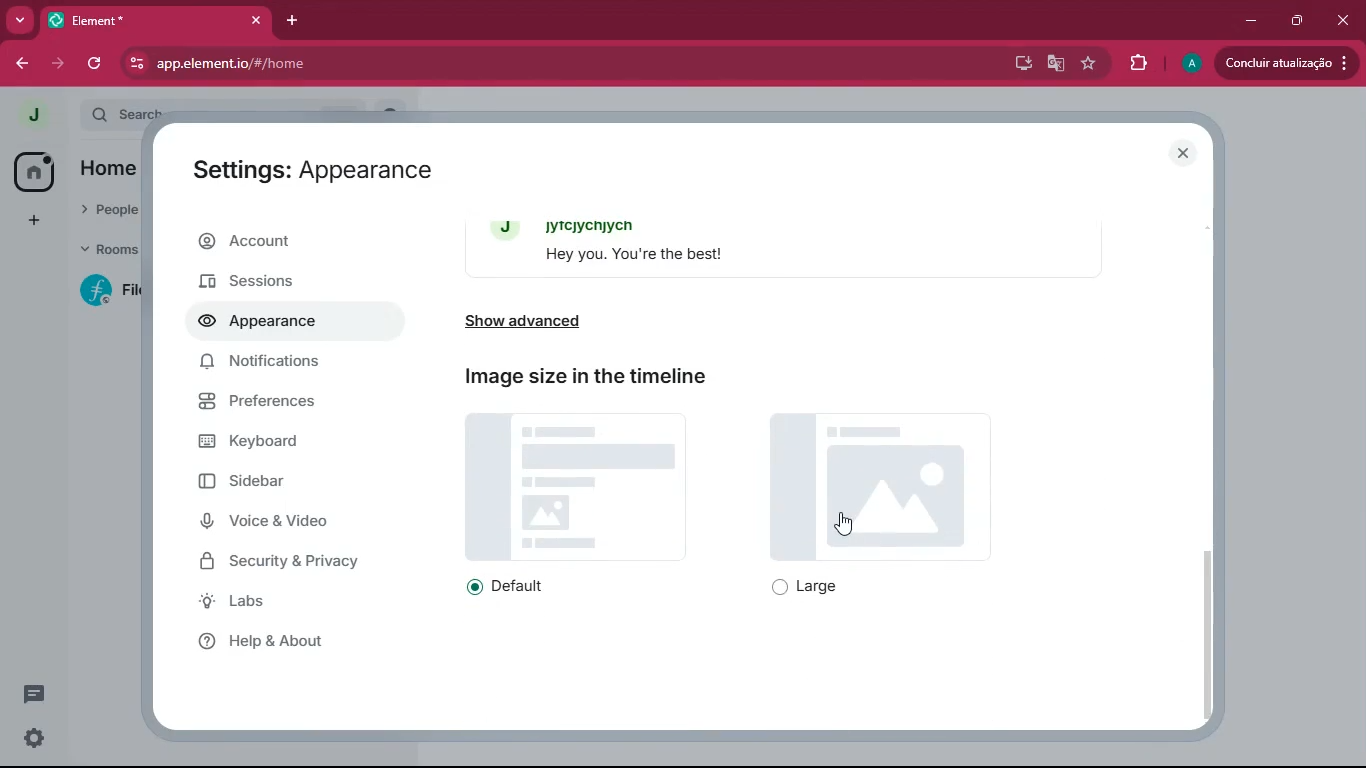 The width and height of the screenshot is (1366, 768). What do you see at coordinates (281, 605) in the screenshot?
I see `labs` at bounding box center [281, 605].